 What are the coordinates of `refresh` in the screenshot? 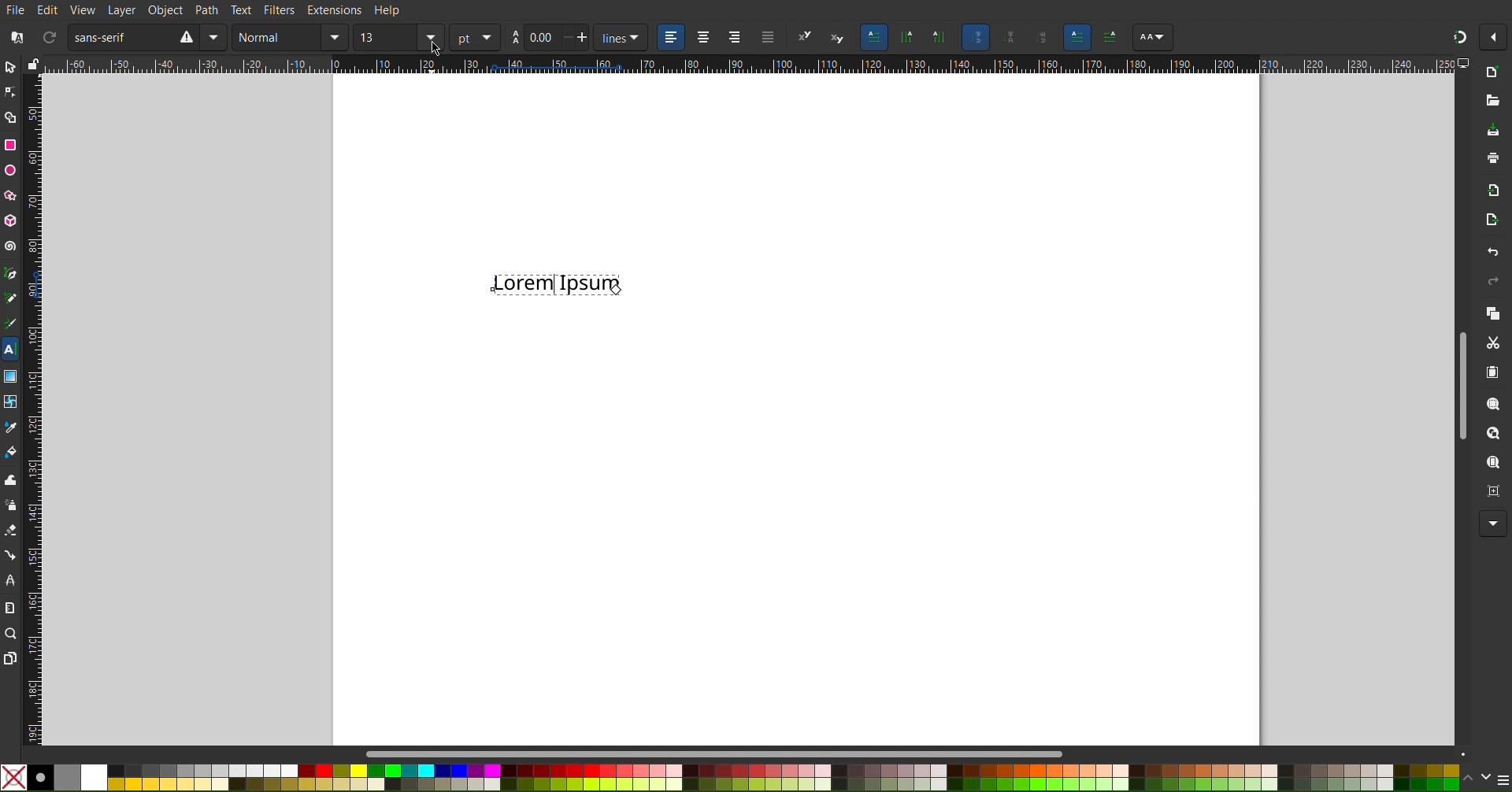 It's located at (47, 35).